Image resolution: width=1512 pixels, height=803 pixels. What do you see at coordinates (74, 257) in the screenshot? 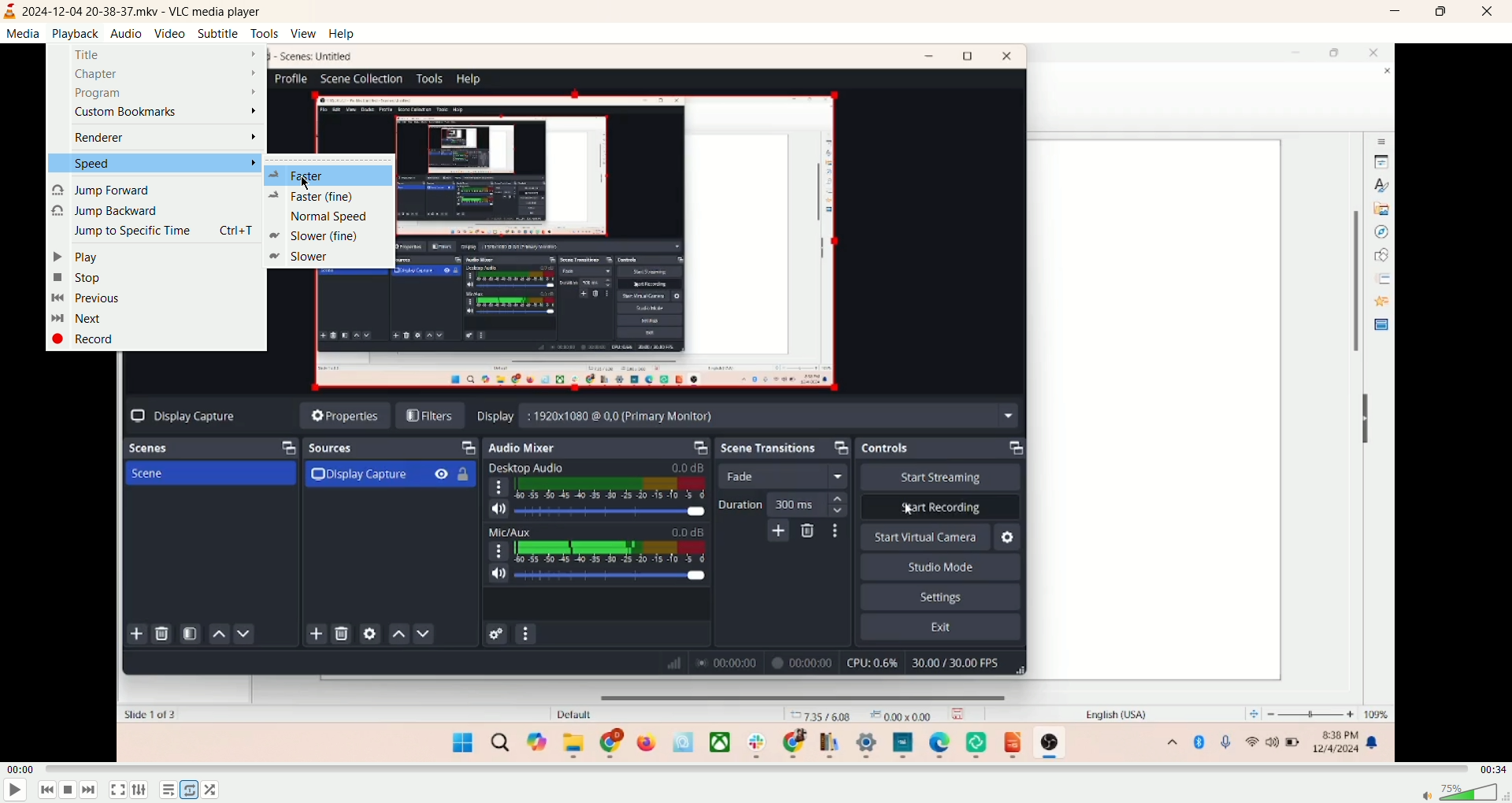
I see `play` at bounding box center [74, 257].